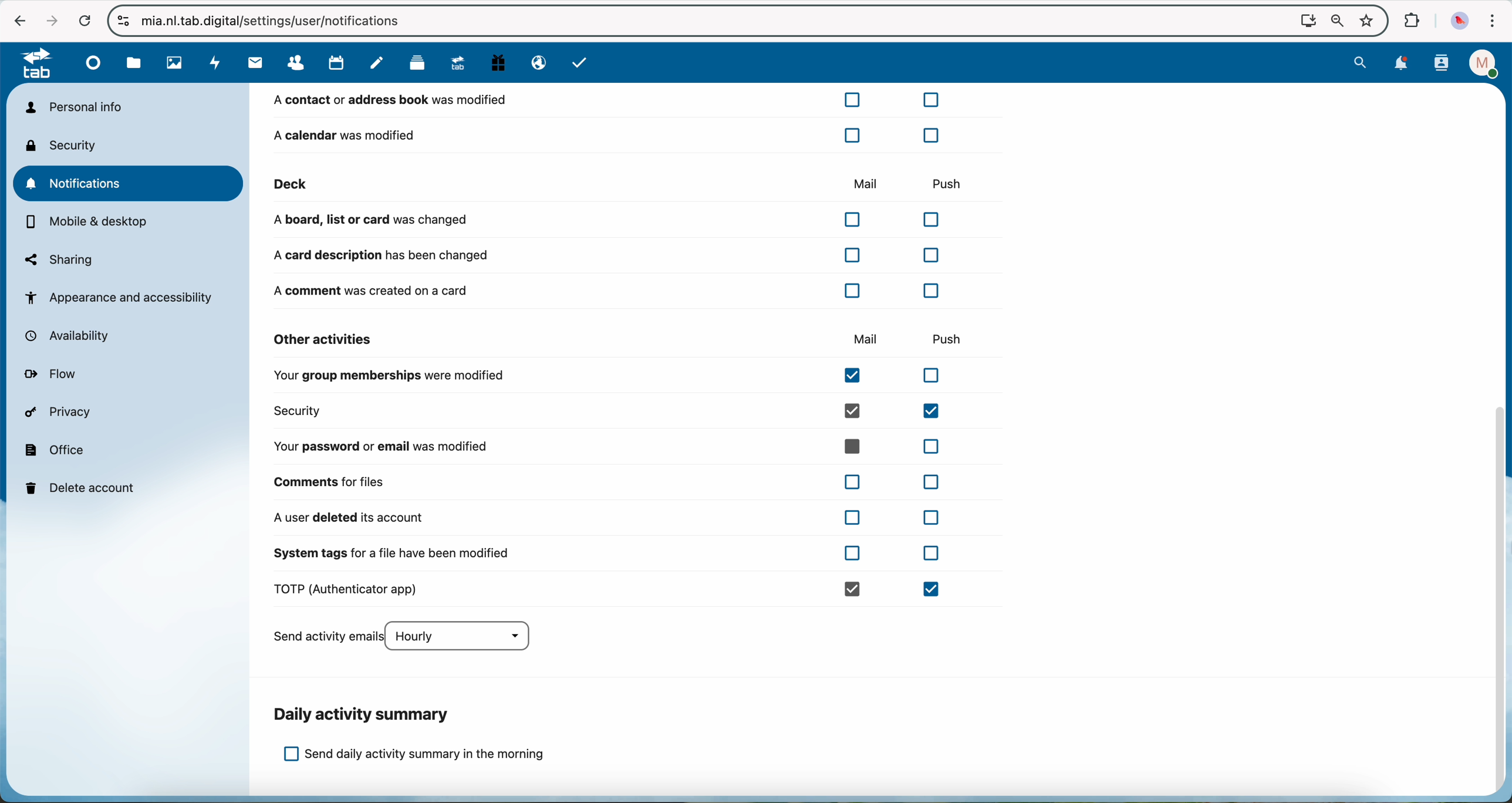 The width and height of the screenshot is (1512, 803). Describe the element at coordinates (863, 182) in the screenshot. I see `mail` at that location.